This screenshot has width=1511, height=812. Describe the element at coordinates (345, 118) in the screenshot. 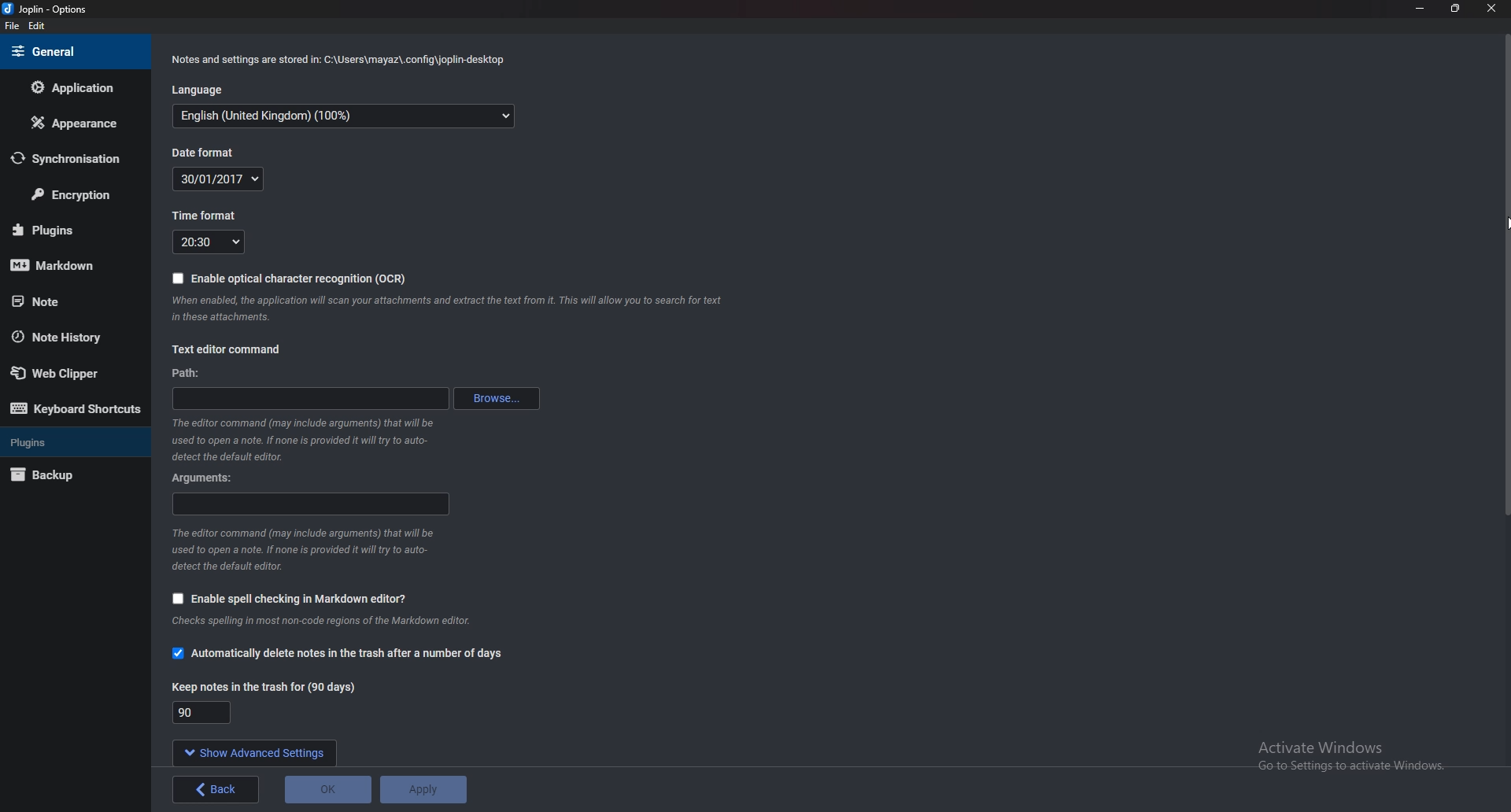

I see `language` at that location.